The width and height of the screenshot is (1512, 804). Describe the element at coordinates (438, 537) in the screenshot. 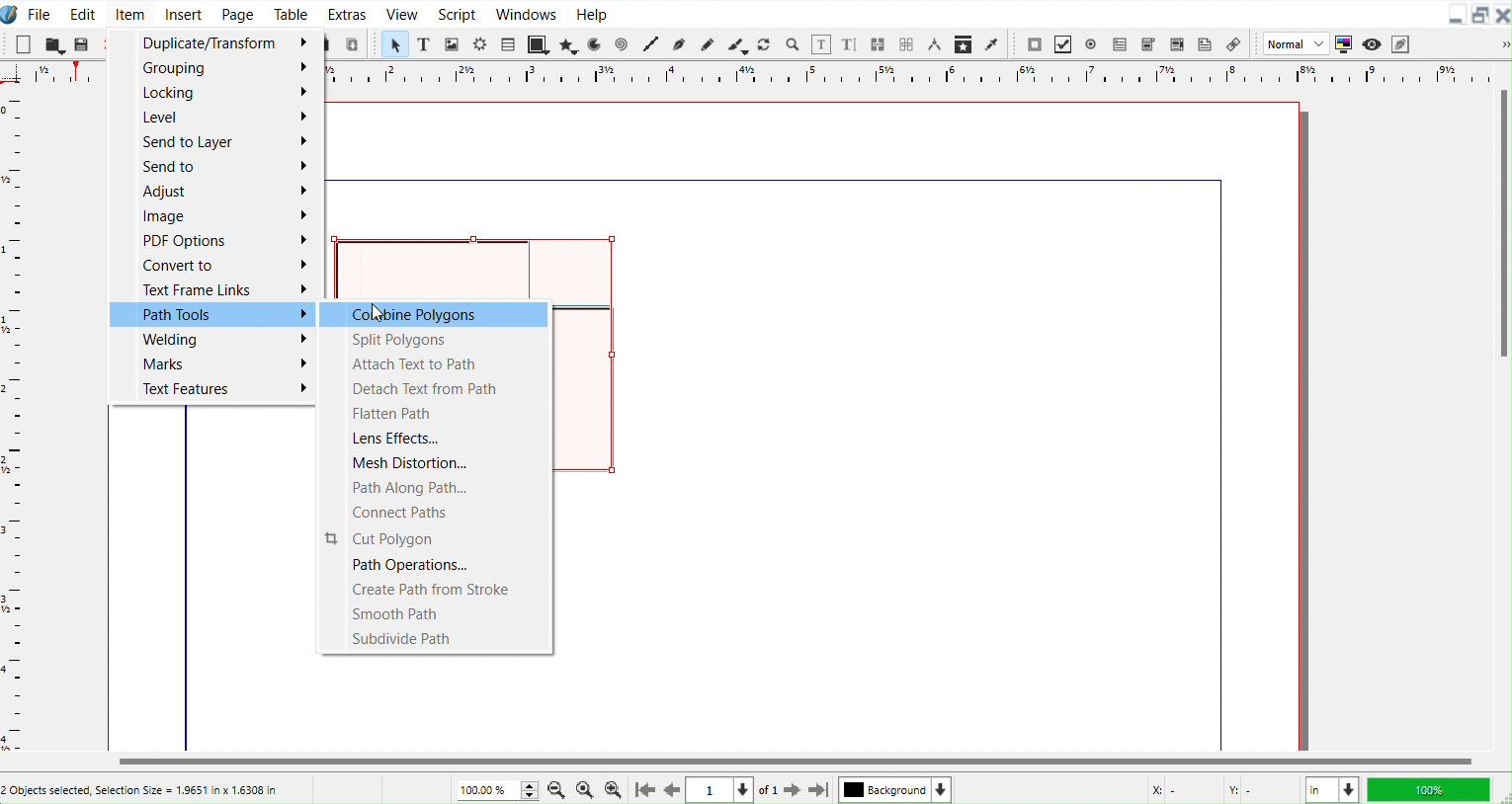

I see `Cut Polygon` at that location.